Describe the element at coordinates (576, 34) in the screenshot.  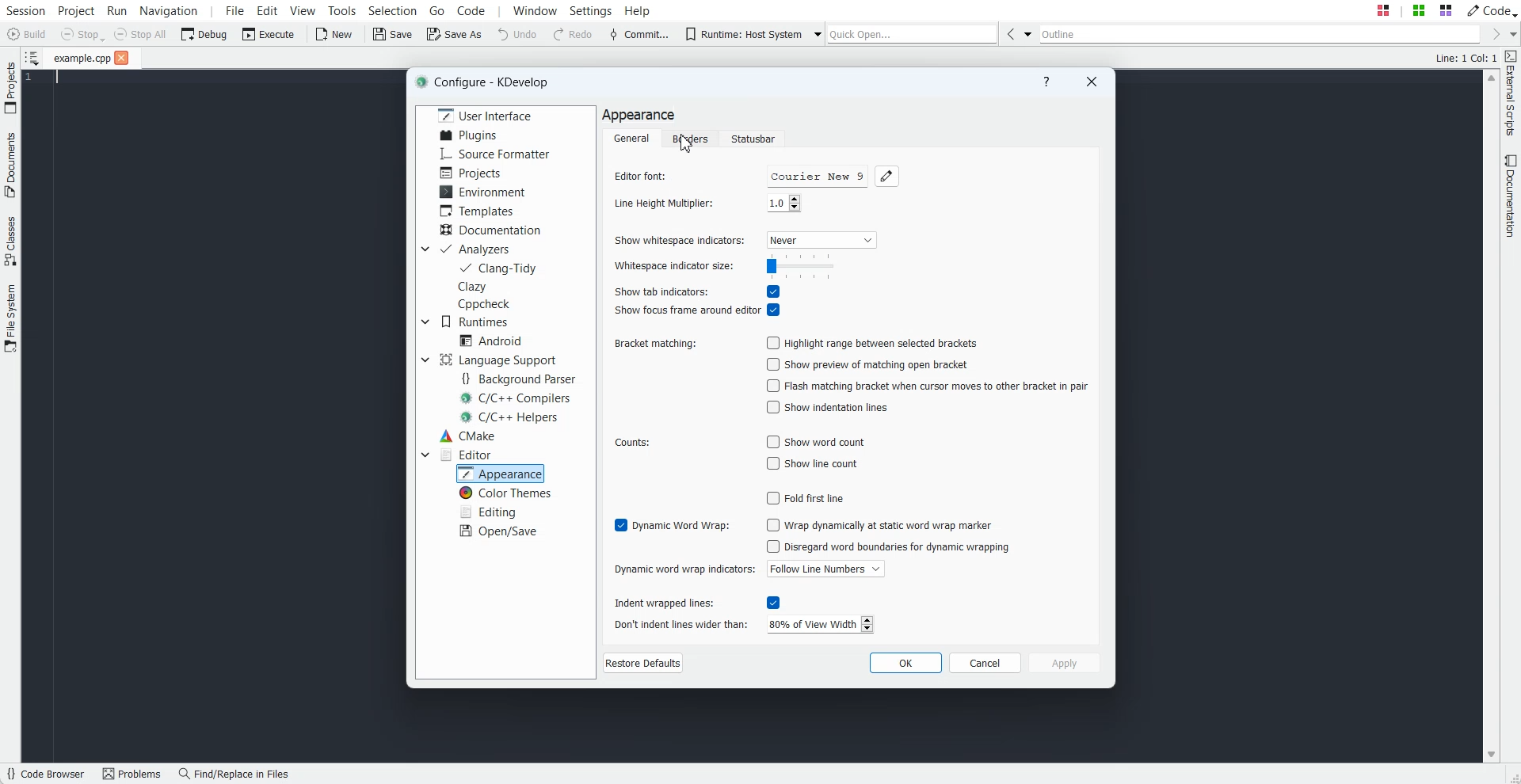
I see `Redo` at that location.